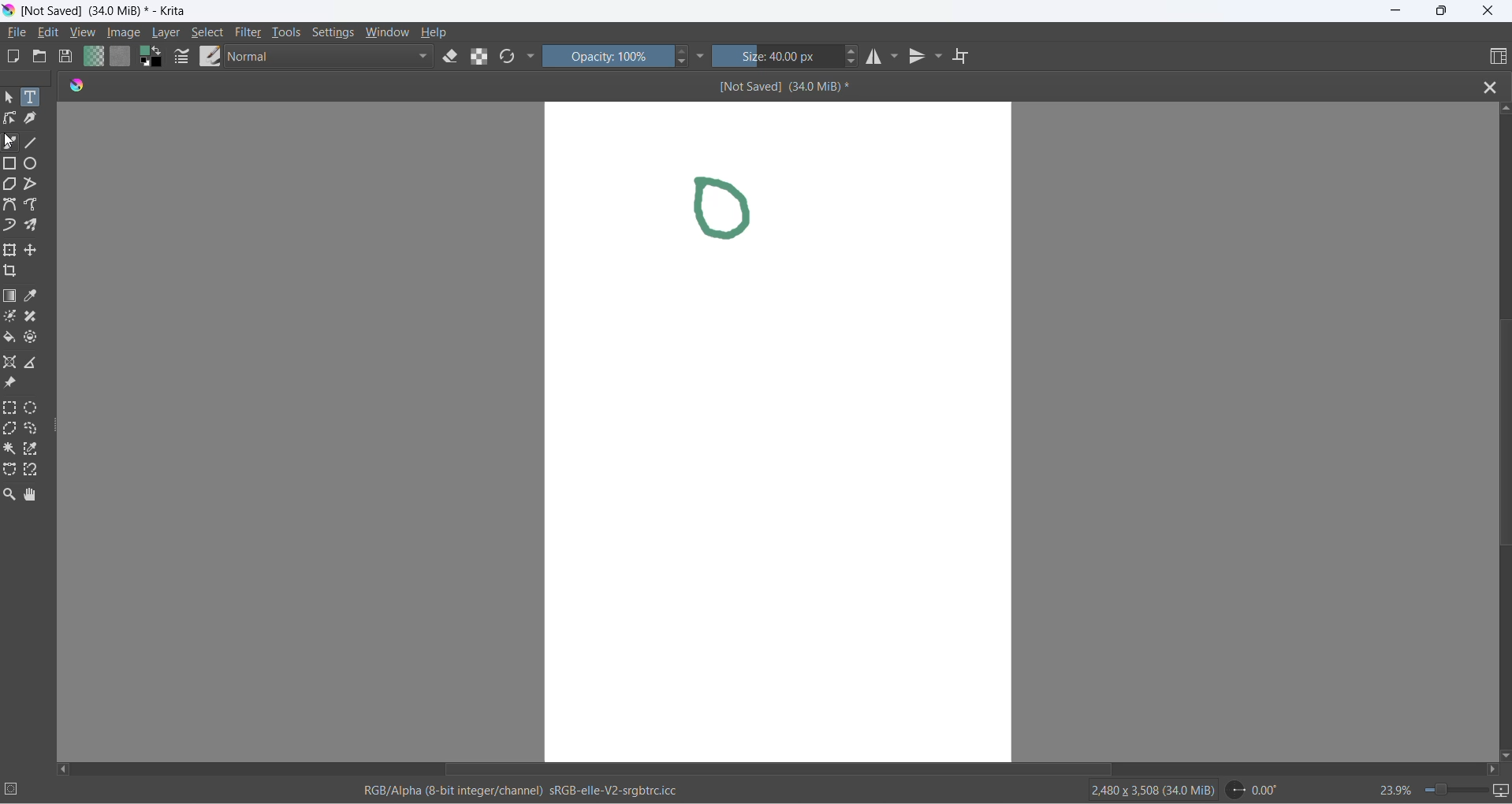  I want to click on tools, so click(288, 32).